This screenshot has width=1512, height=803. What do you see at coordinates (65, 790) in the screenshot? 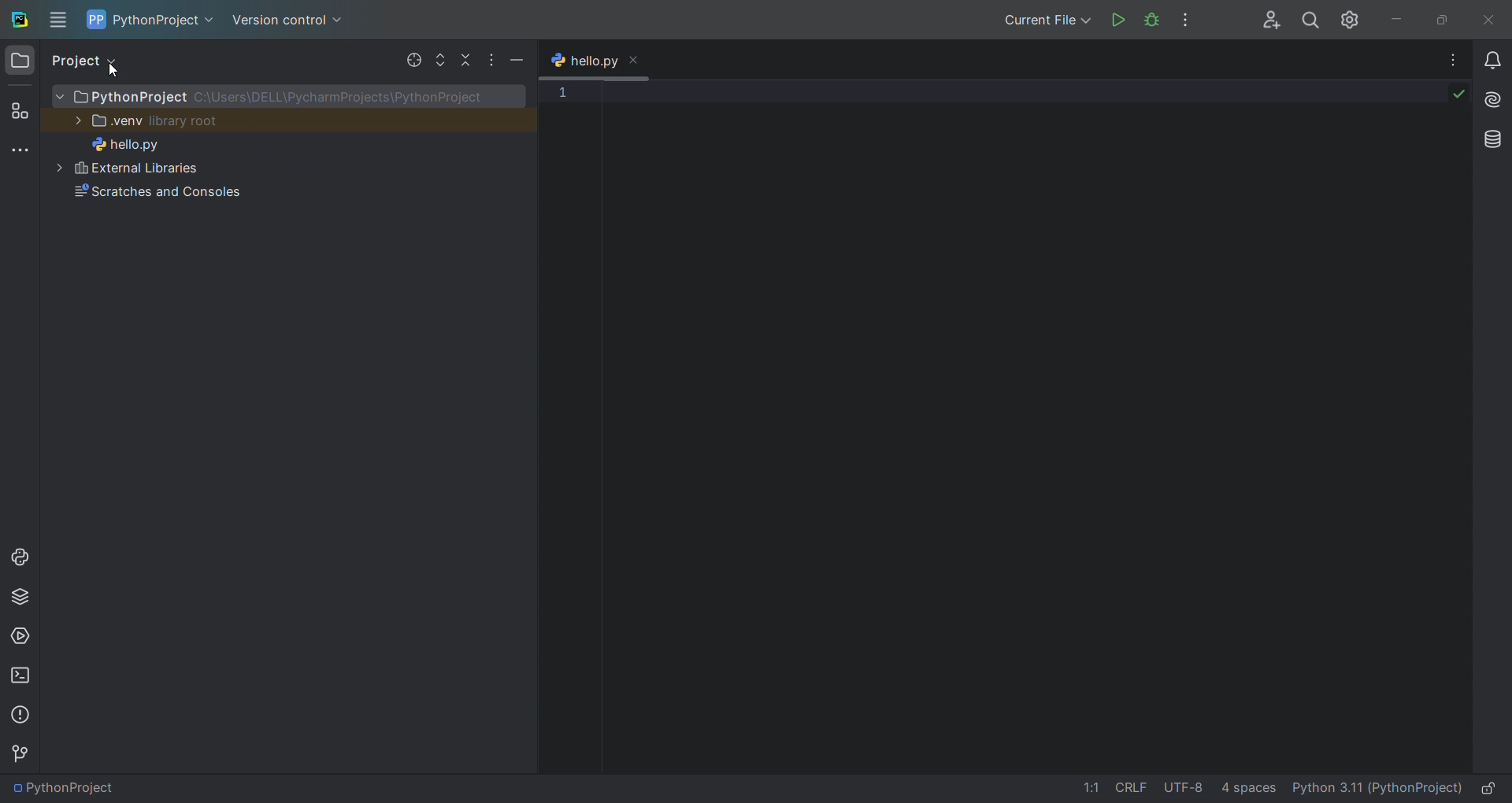
I see `file path` at bounding box center [65, 790].